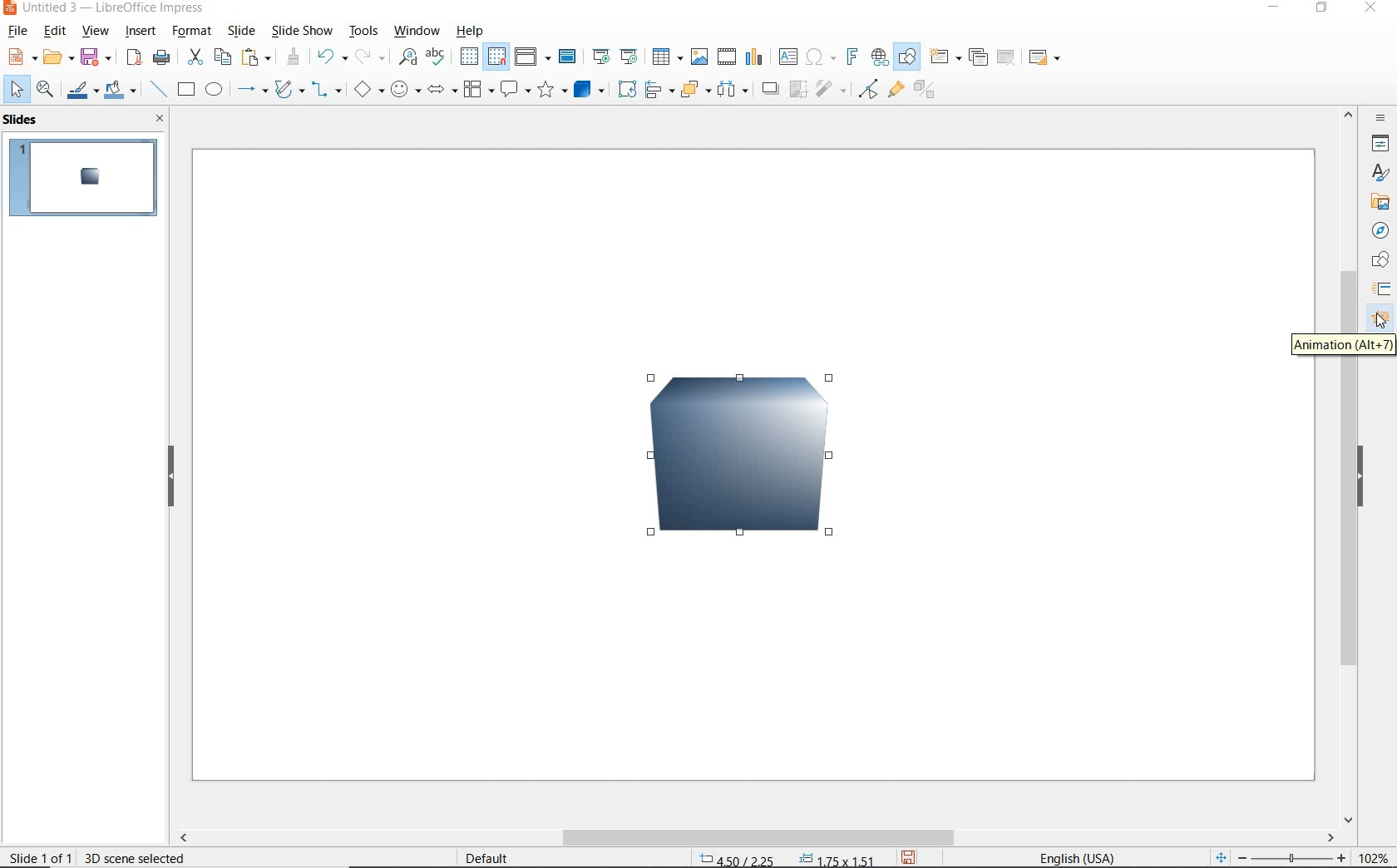 The width and height of the screenshot is (1397, 868). What do you see at coordinates (908, 856) in the screenshot?
I see `save` at bounding box center [908, 856].